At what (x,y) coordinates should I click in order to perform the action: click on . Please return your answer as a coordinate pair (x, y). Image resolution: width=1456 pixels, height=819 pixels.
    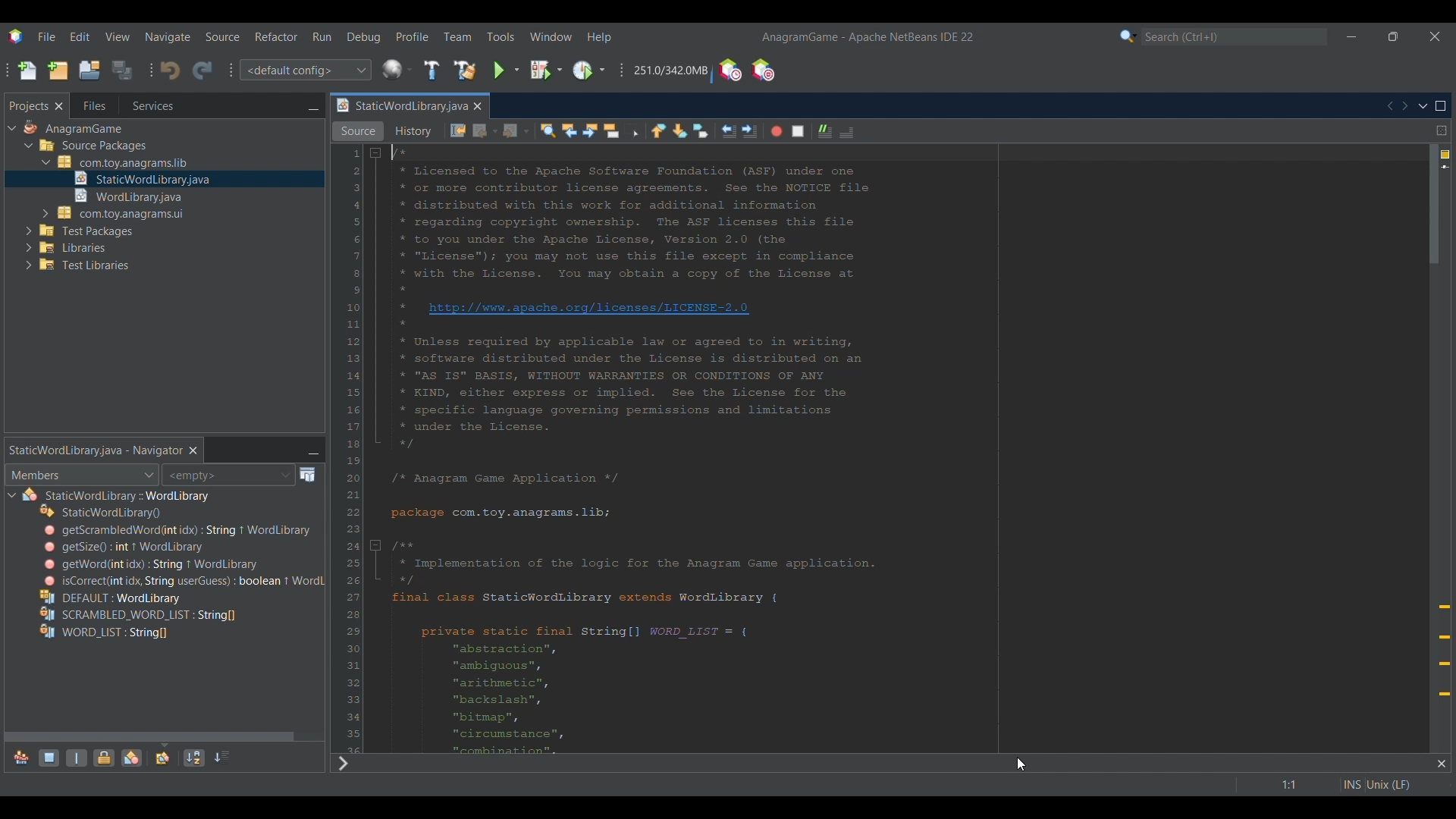
    Looking at the image, I should click on (102, 511).